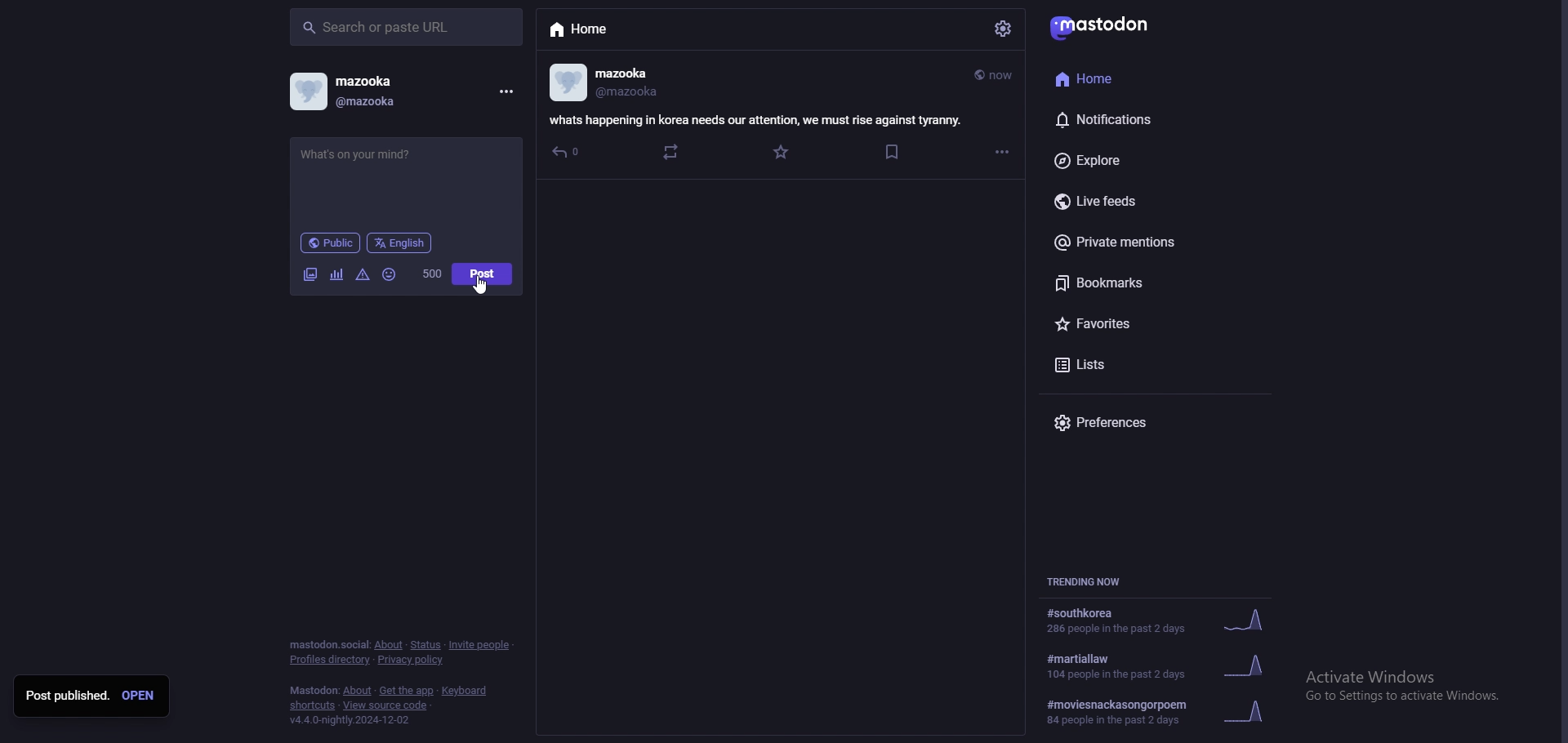 This screenshot has width=1568, height=743. I want to click on favourites, so click(783, 152).